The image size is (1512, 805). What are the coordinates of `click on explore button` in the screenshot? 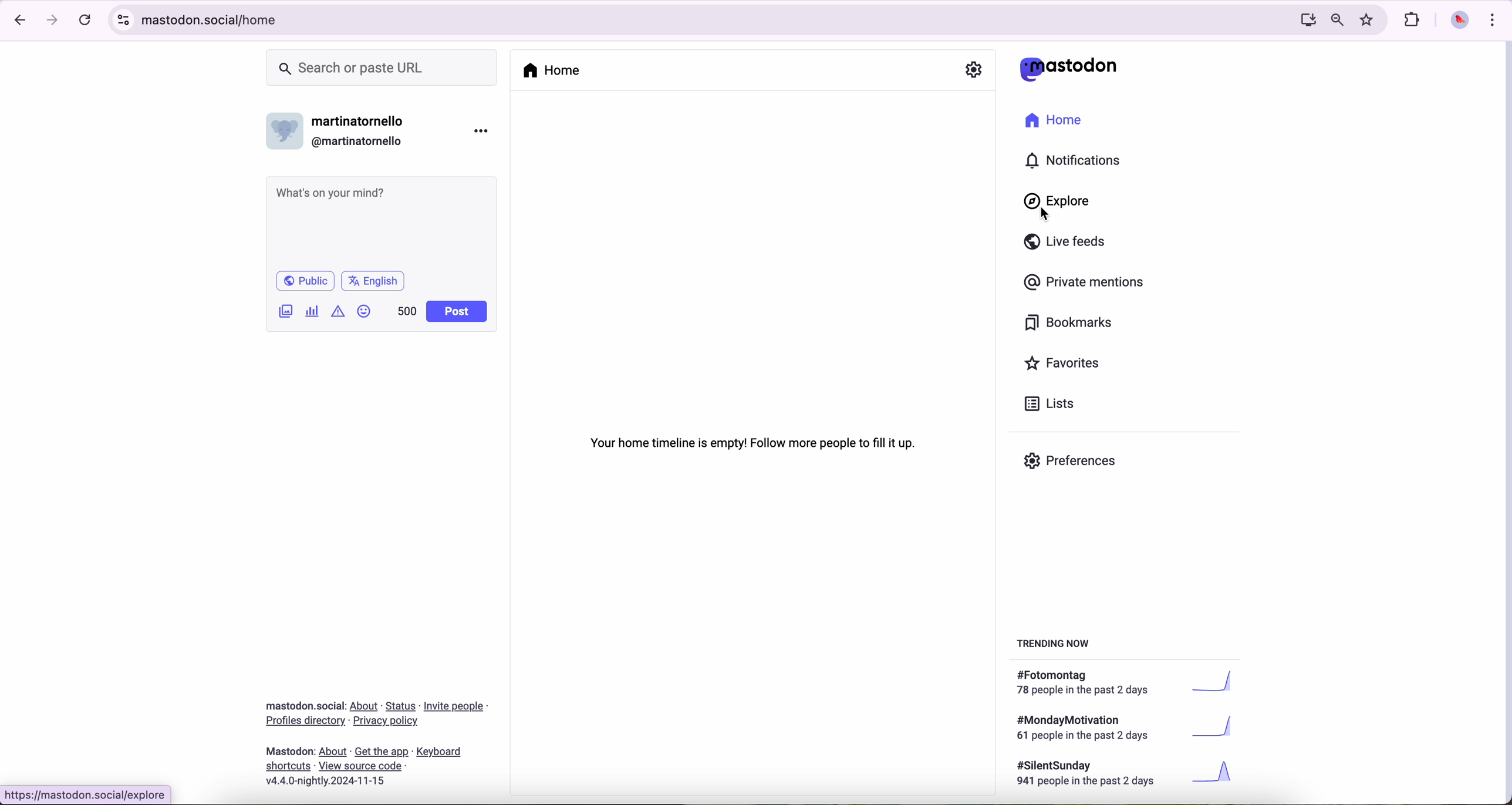 It's located at (1060, 207).